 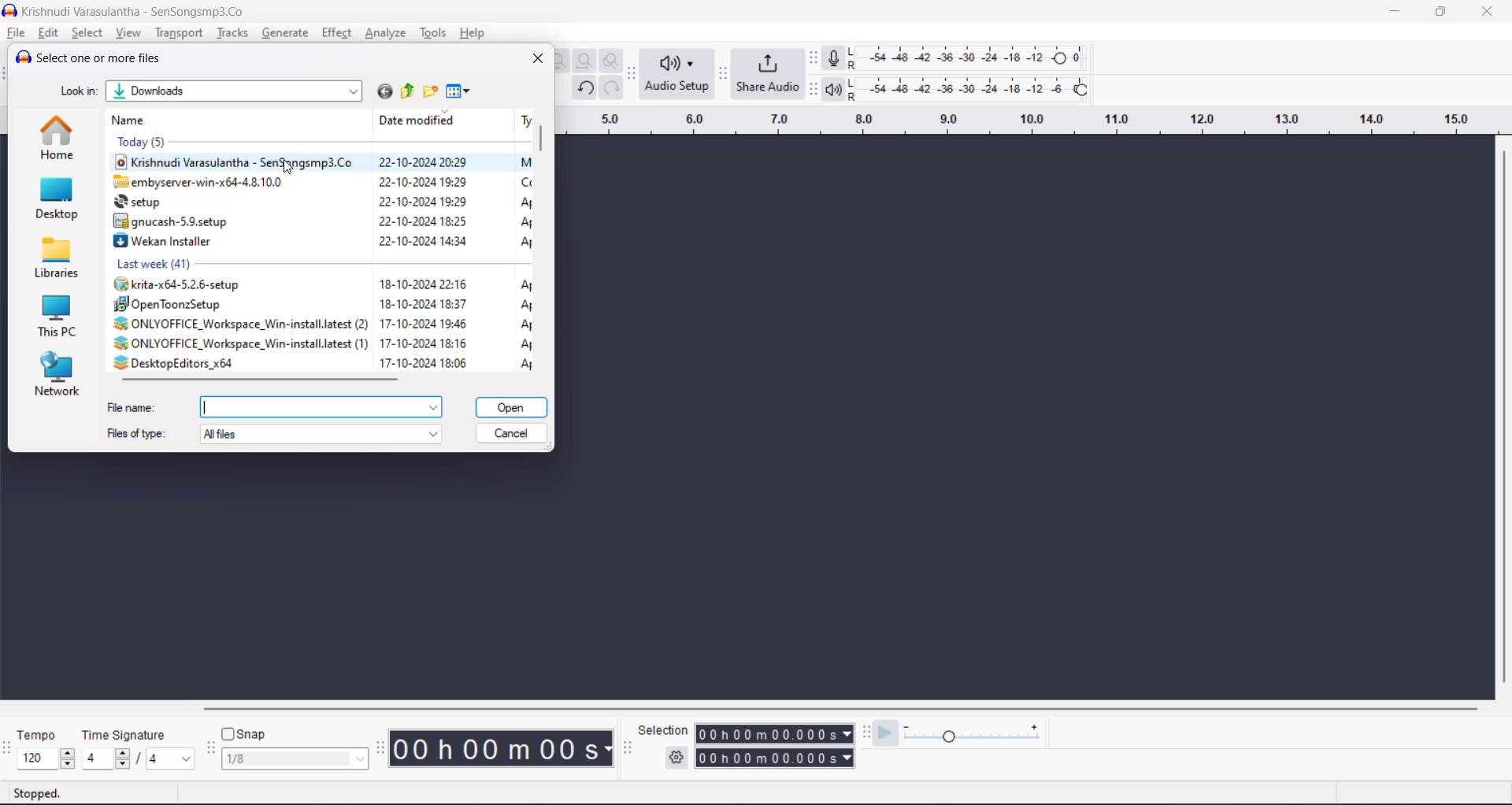 What do you see at coordinates (460, 92) in the screenshot?
I see `view menu` at bounding box center [460, 92].